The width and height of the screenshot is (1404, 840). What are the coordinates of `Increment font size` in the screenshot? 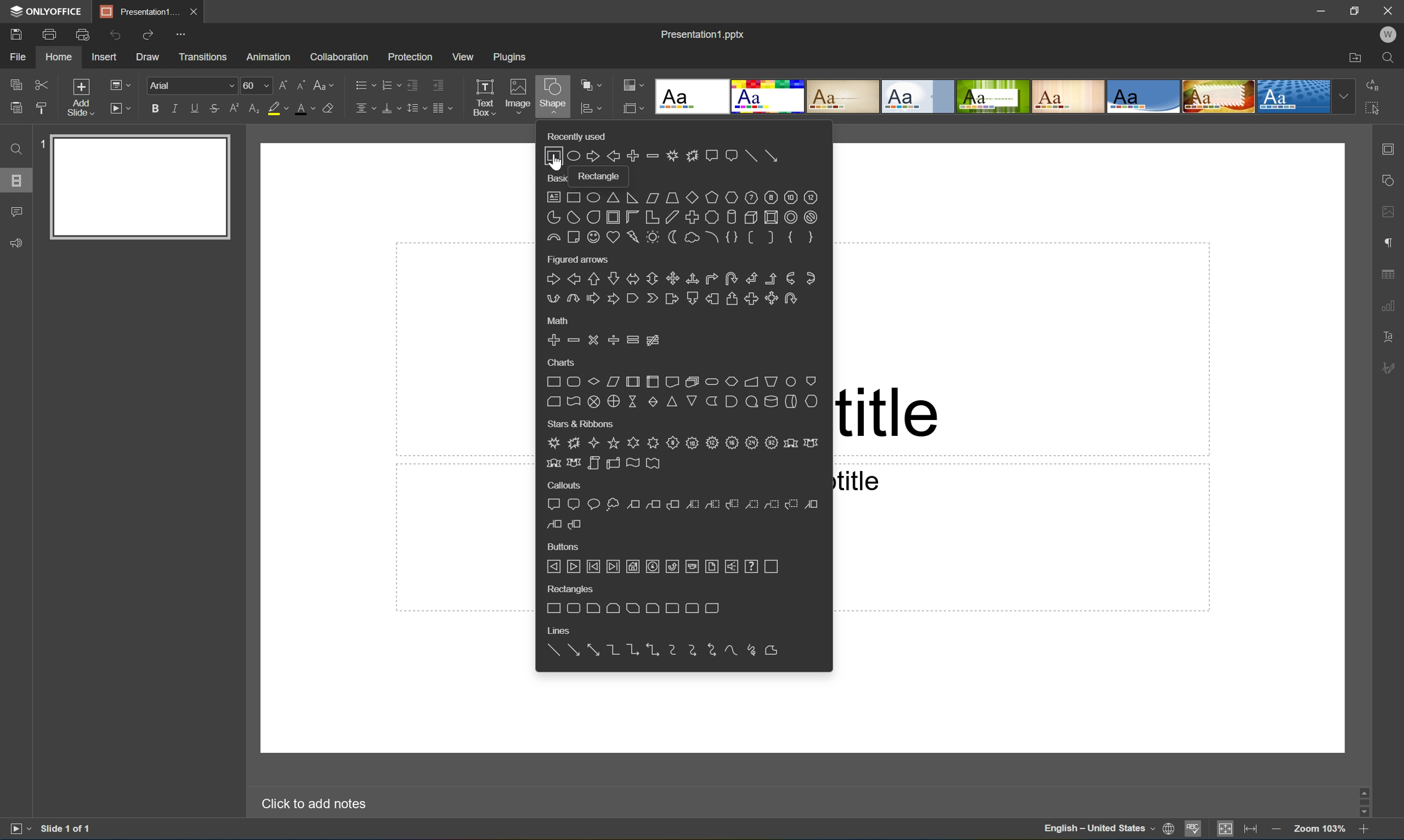 It's located at (281, 84).